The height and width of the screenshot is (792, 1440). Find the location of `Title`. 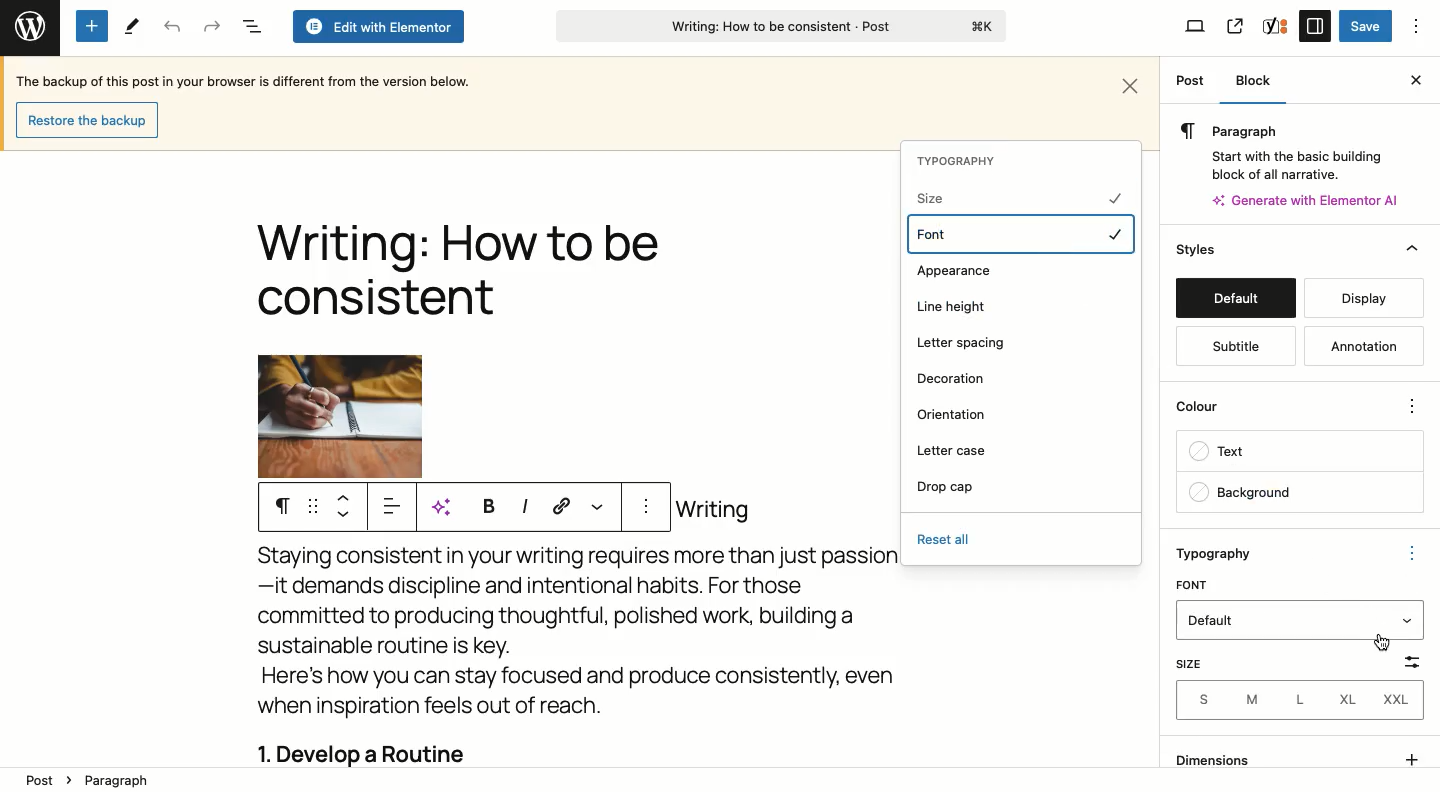

Title is located at coordinates (457, 274).